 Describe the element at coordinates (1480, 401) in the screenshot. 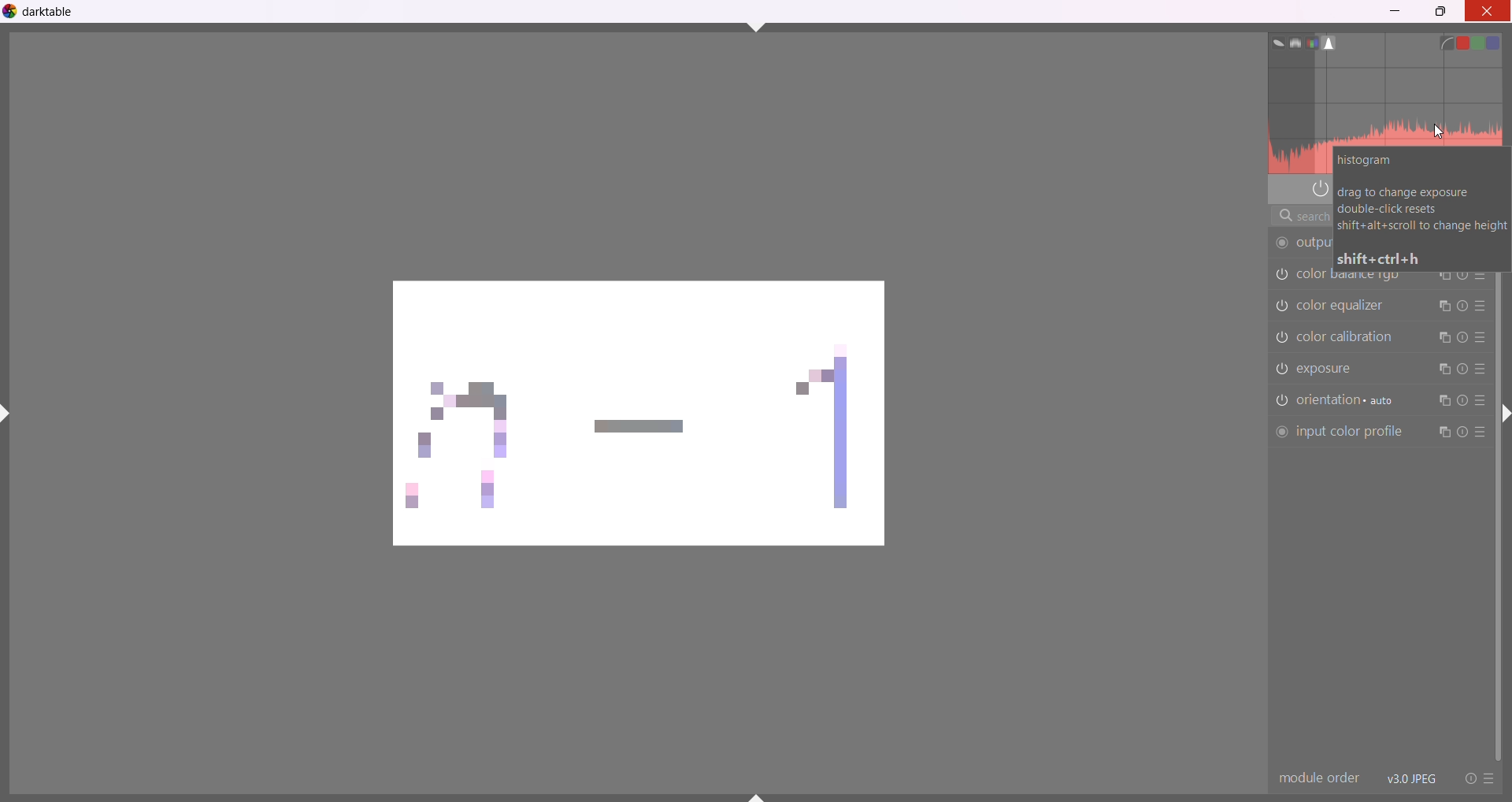

I see `presets` at that location.